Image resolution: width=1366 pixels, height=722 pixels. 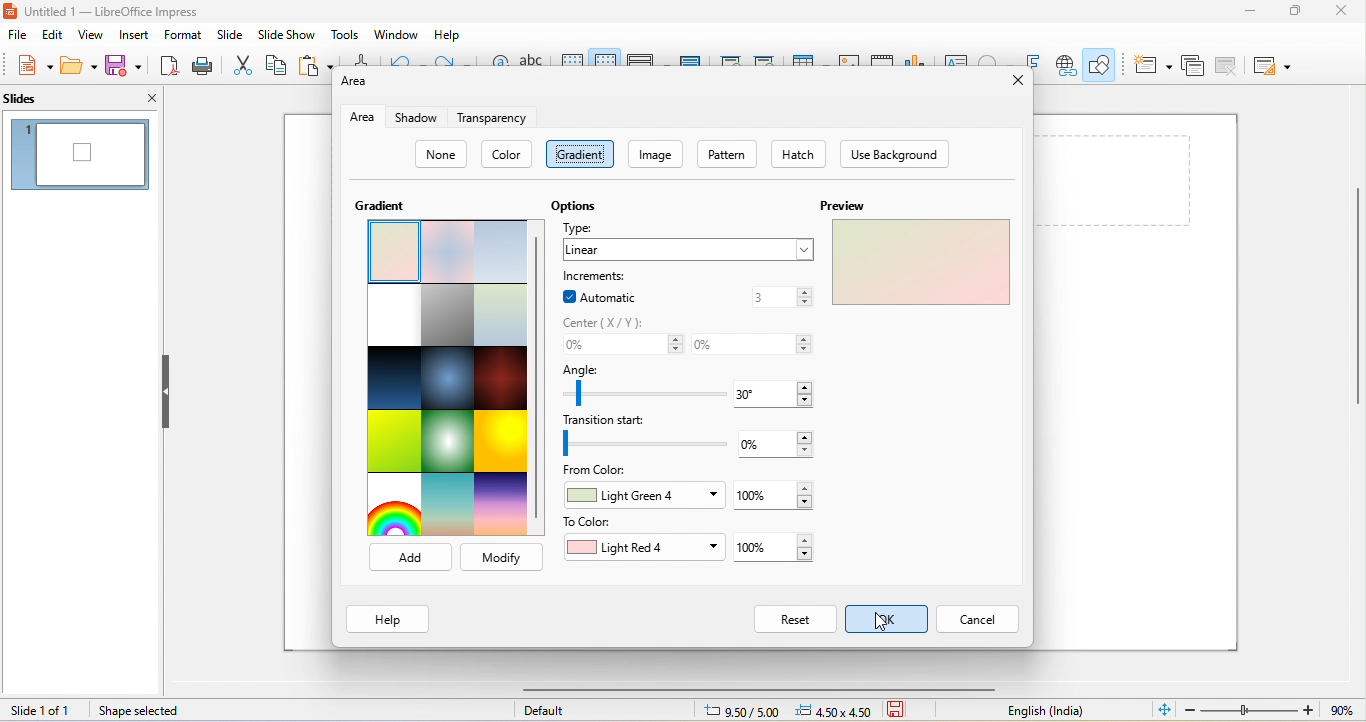 What do you see at coordinates (124, 64) in the screenshot?
I see `save` at bounding box center [124, 64].